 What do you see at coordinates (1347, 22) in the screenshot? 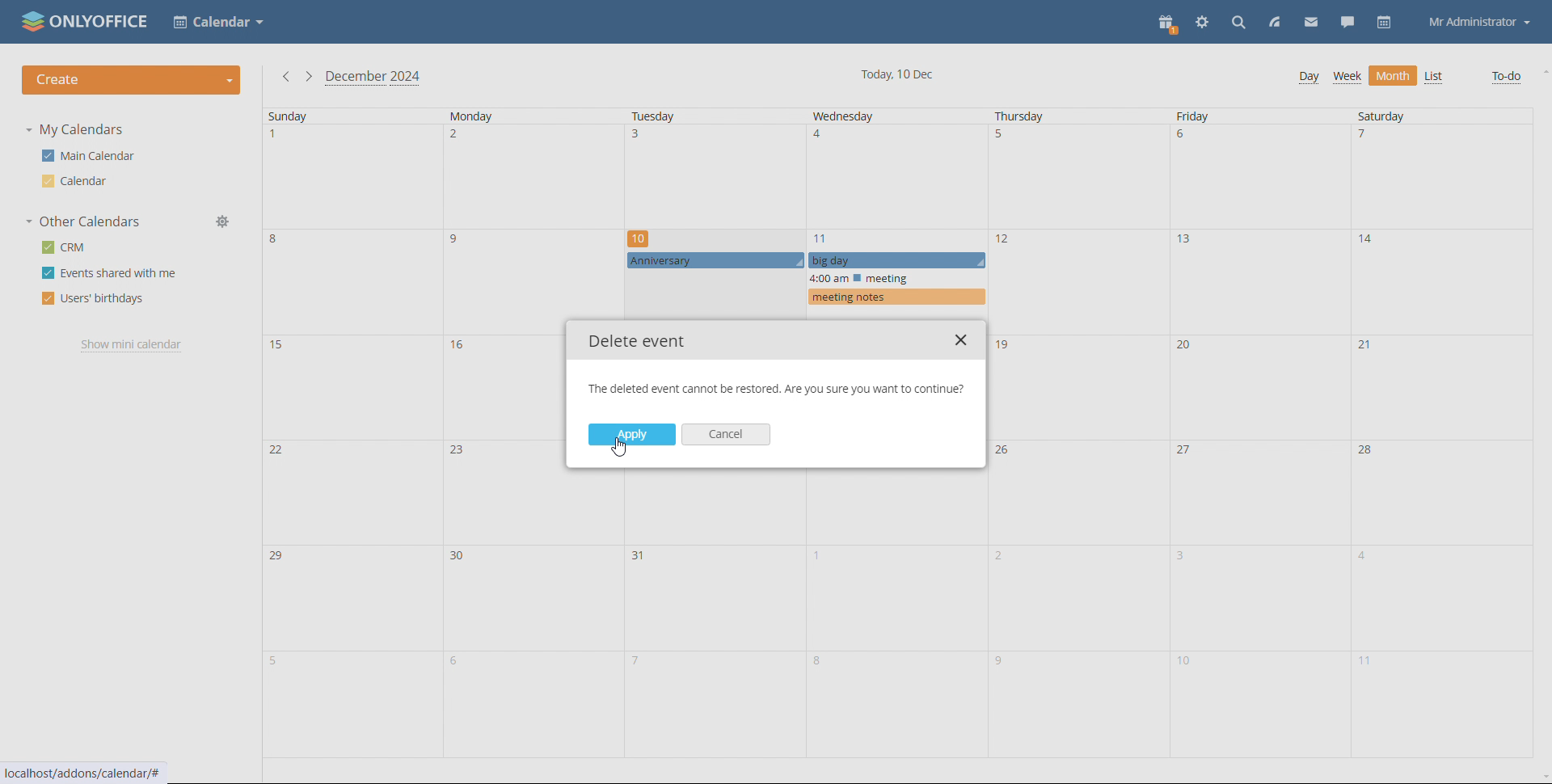
I see `talk` at bounding box center [1347, 22].